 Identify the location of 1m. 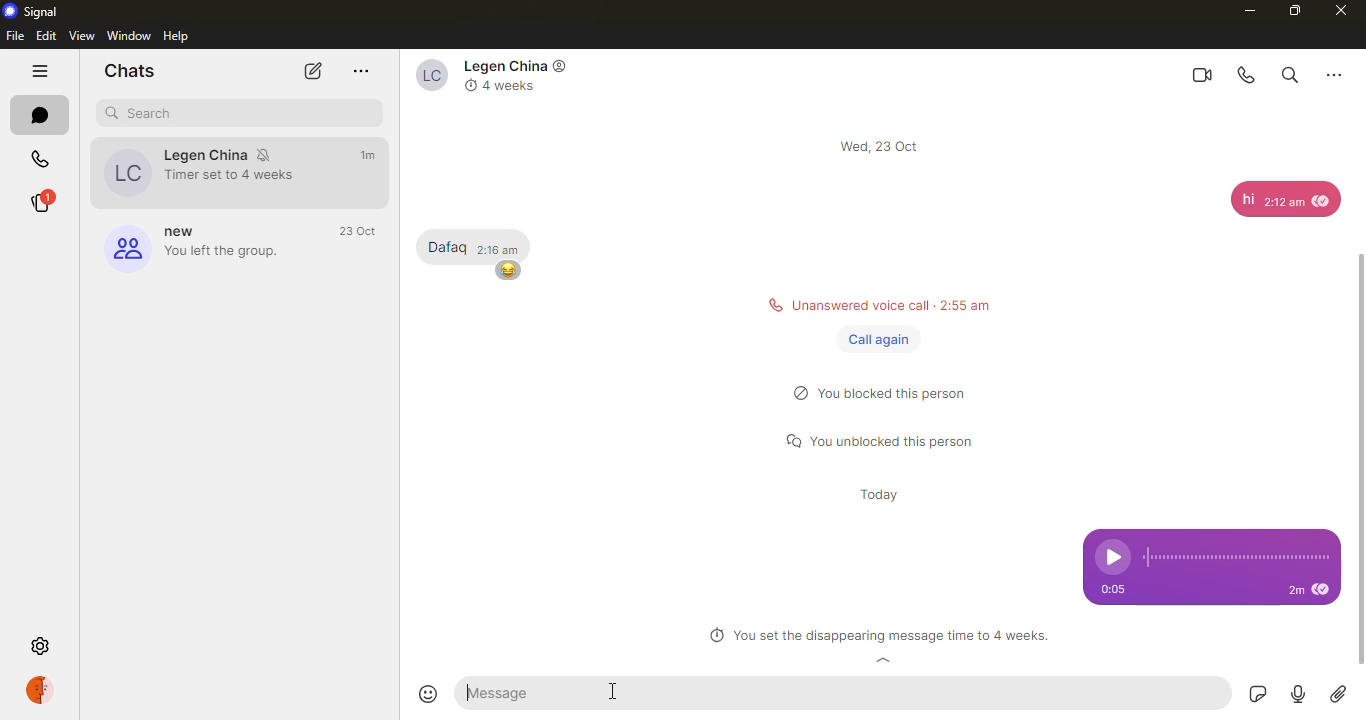
(370, 155).